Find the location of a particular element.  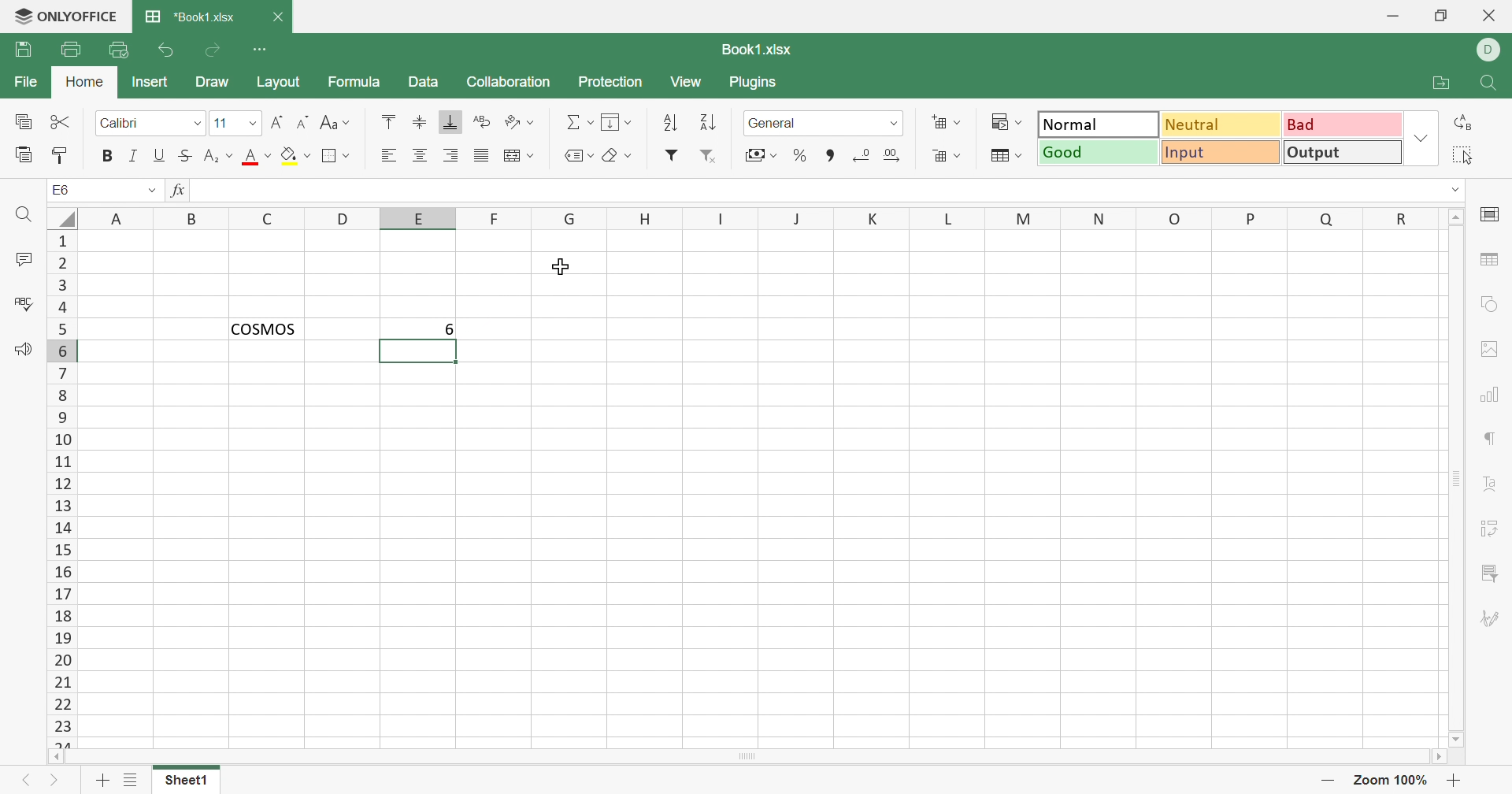

General is located at coordinates (809, 123).